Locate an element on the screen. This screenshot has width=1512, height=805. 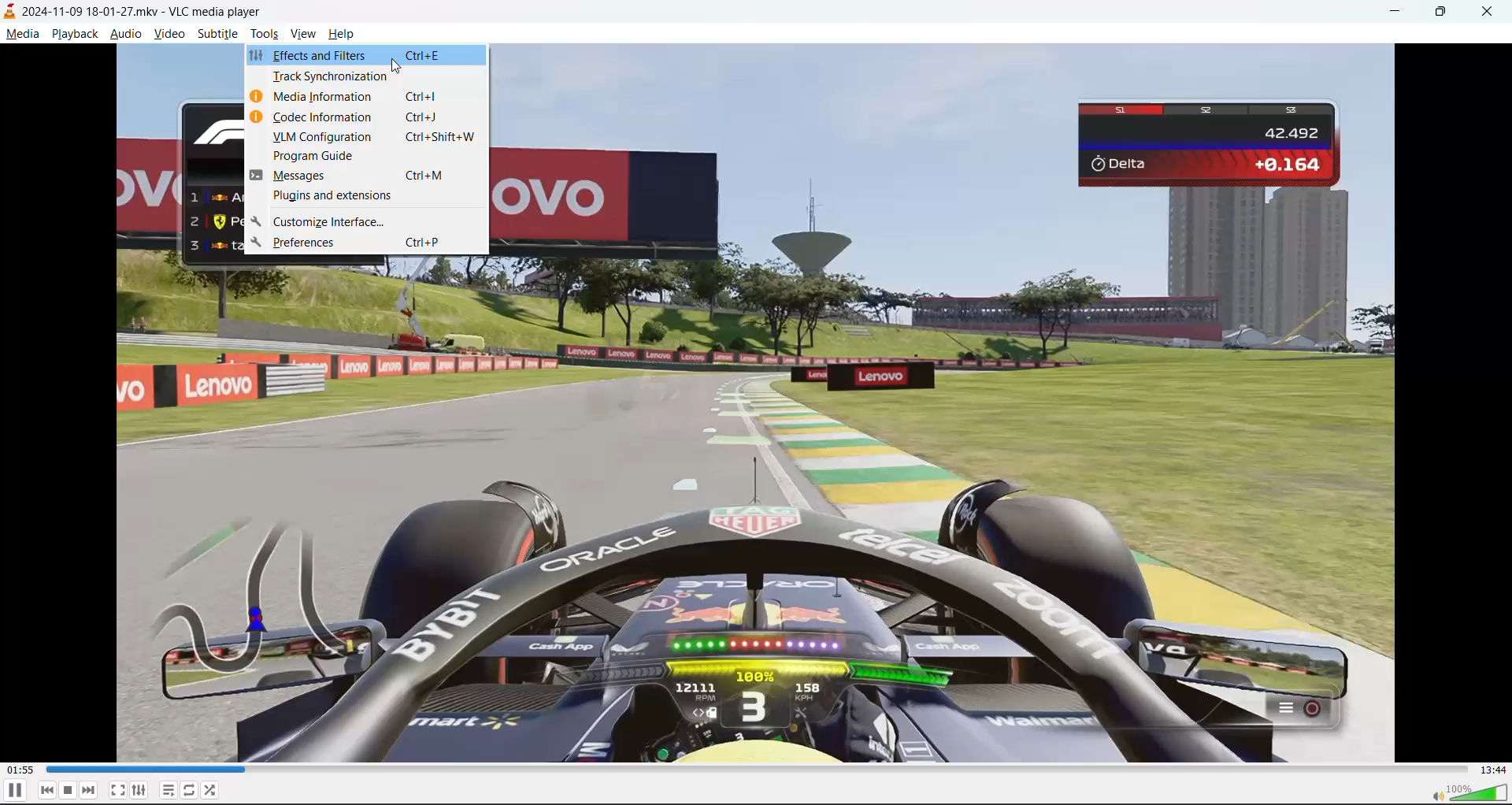
view is located at coordinates (306, 35).